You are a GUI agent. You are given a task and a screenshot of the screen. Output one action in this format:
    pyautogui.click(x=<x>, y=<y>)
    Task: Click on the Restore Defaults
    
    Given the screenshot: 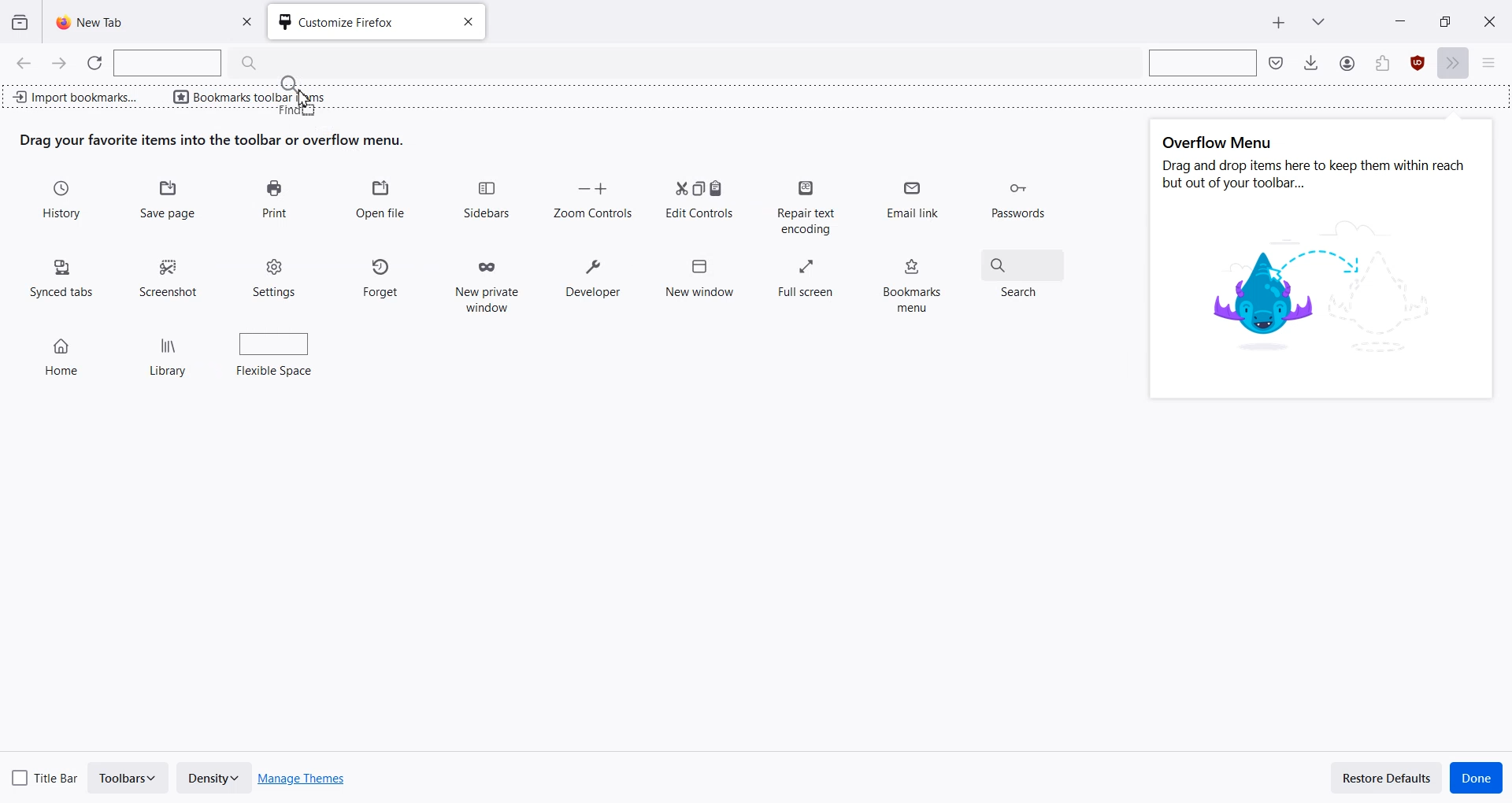 What is the action you would take?
    pyautogui.click(x=1387, y=777)
    